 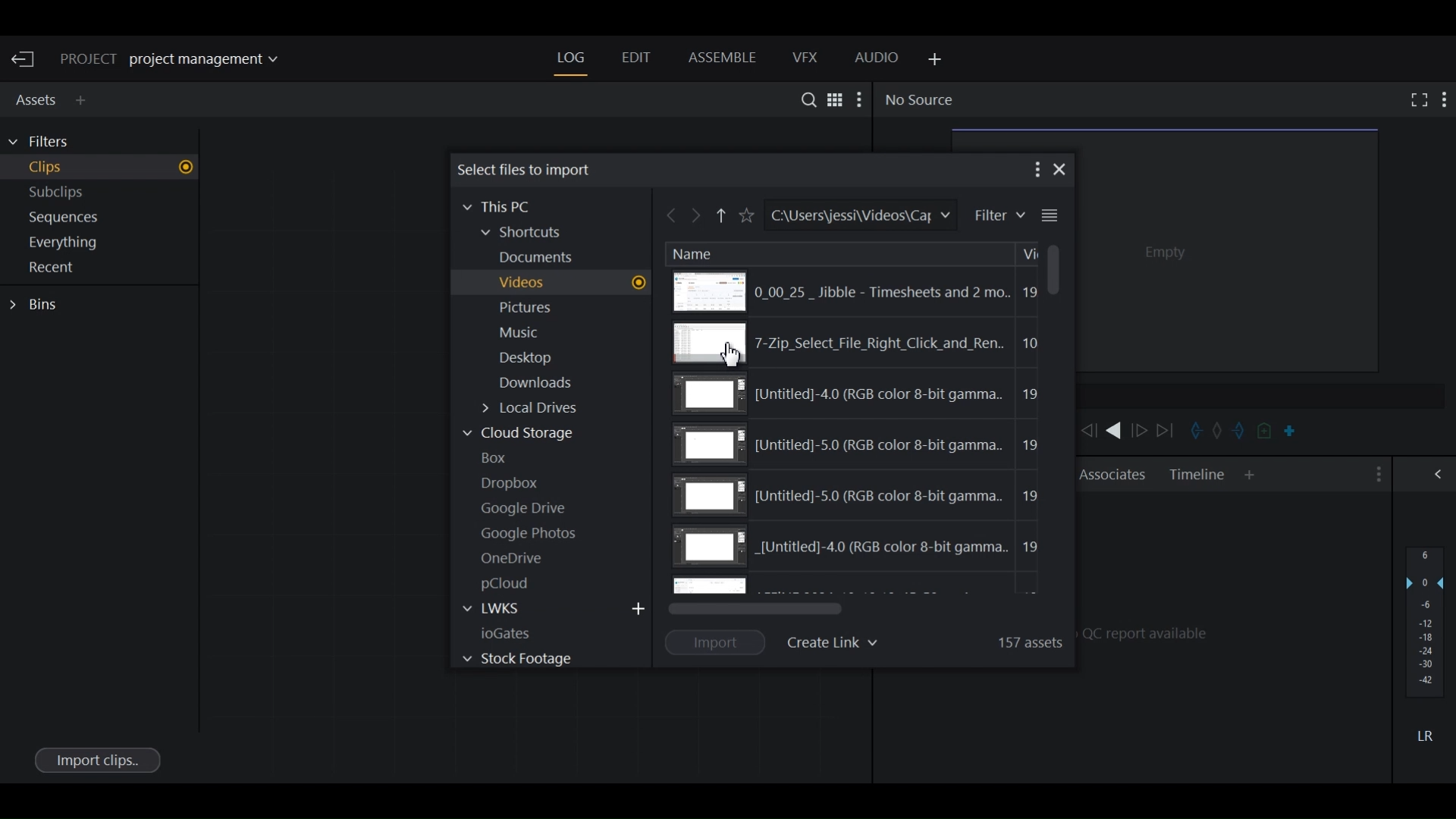 What do you see at coordinates (38, 305) in the screenshot?
I see `Bins` at bounding box center [38, 305].